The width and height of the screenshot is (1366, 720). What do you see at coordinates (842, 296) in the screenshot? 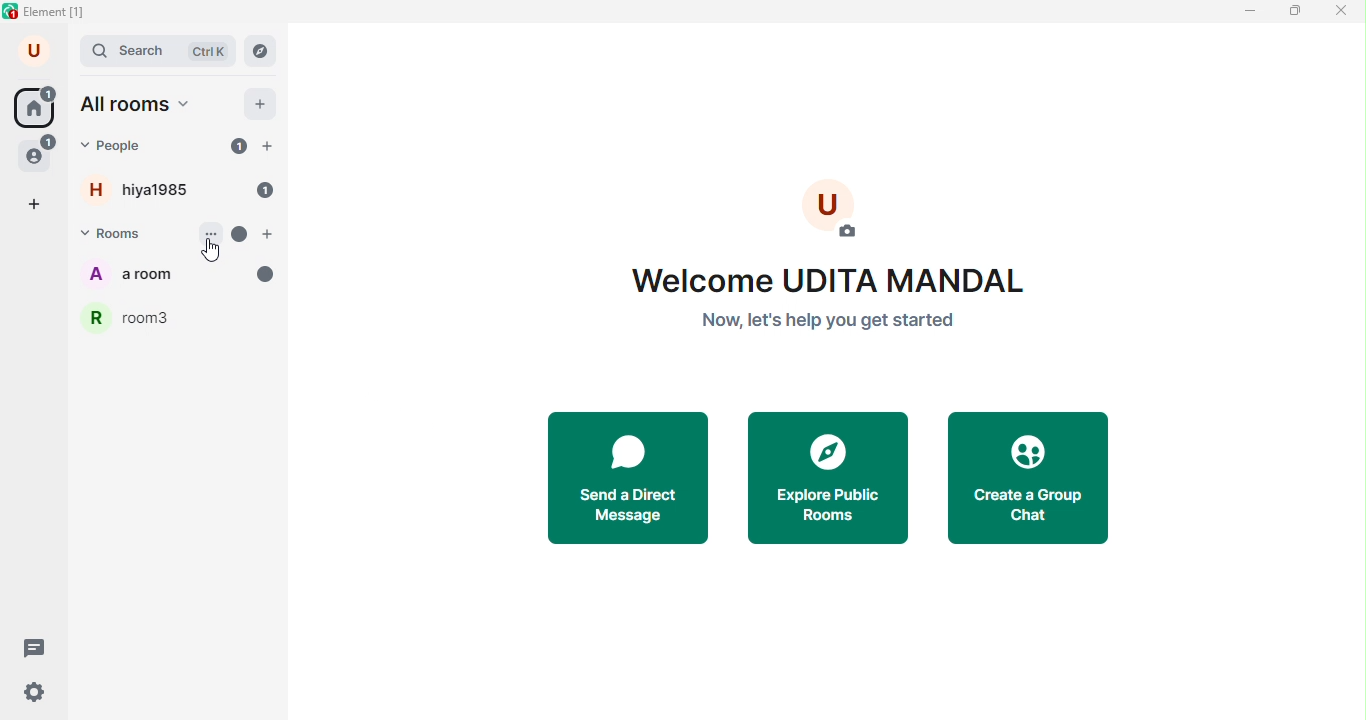
I see `welcome text` at bounding box center [842, 296].